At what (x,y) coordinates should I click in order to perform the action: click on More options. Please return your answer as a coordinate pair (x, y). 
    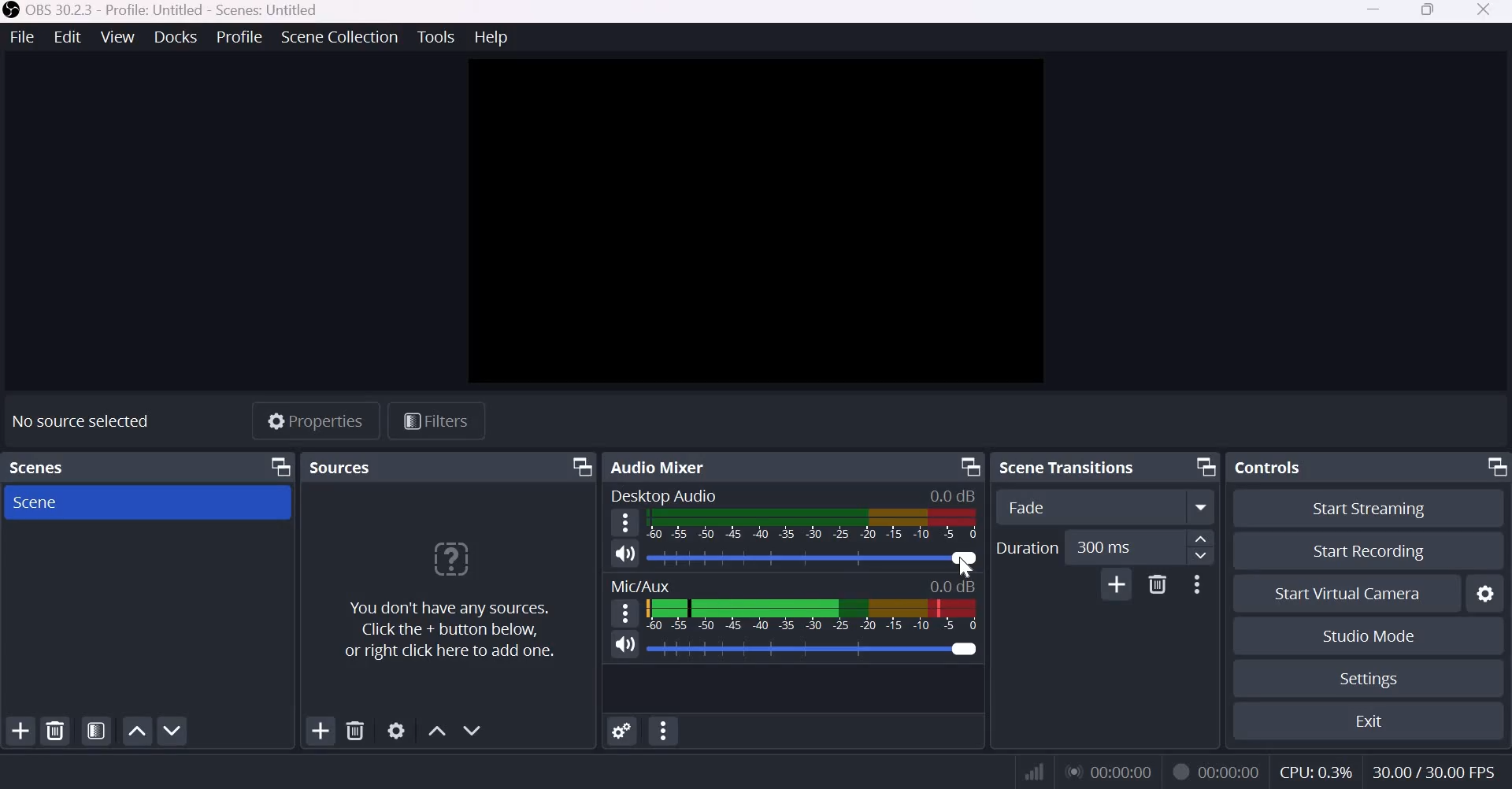
    Looking at the image, I should click on (1203, 507).